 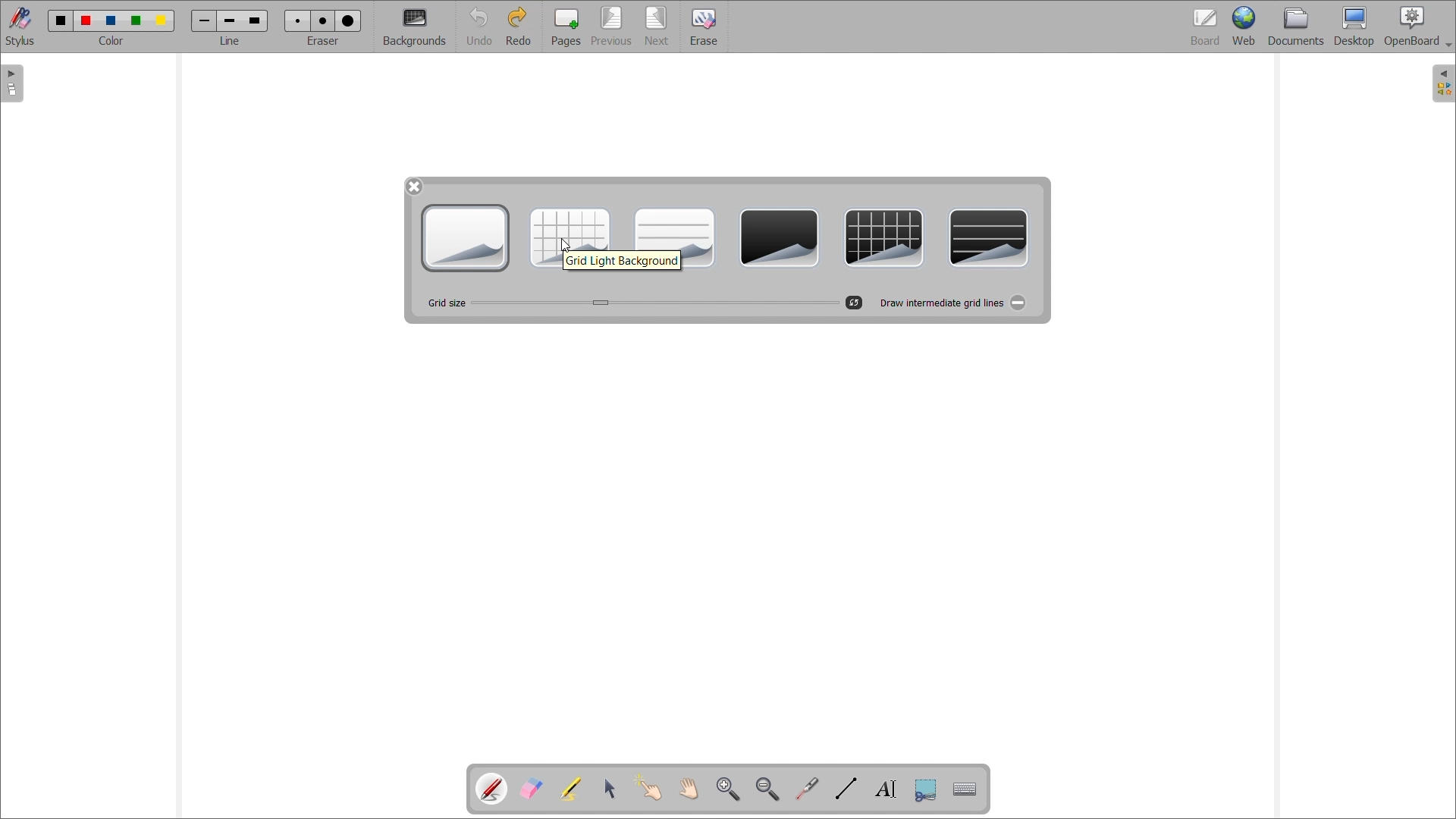 I want to click on Expand right sidebar, so click(x=1443, y=83).